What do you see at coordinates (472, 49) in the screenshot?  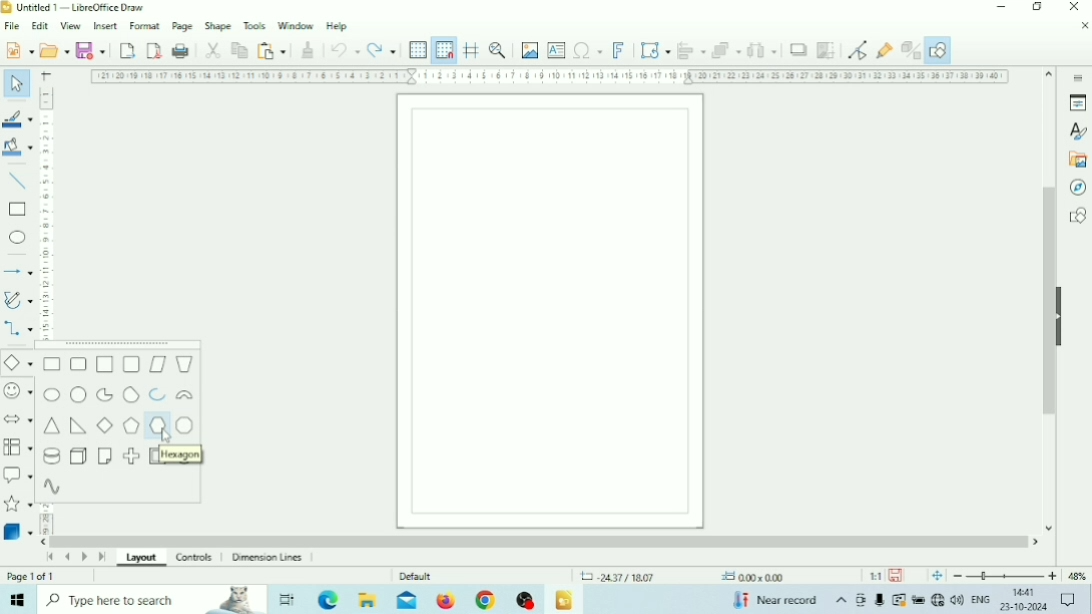 I see `Helplines While Moving` at bounding box center [472, 49].